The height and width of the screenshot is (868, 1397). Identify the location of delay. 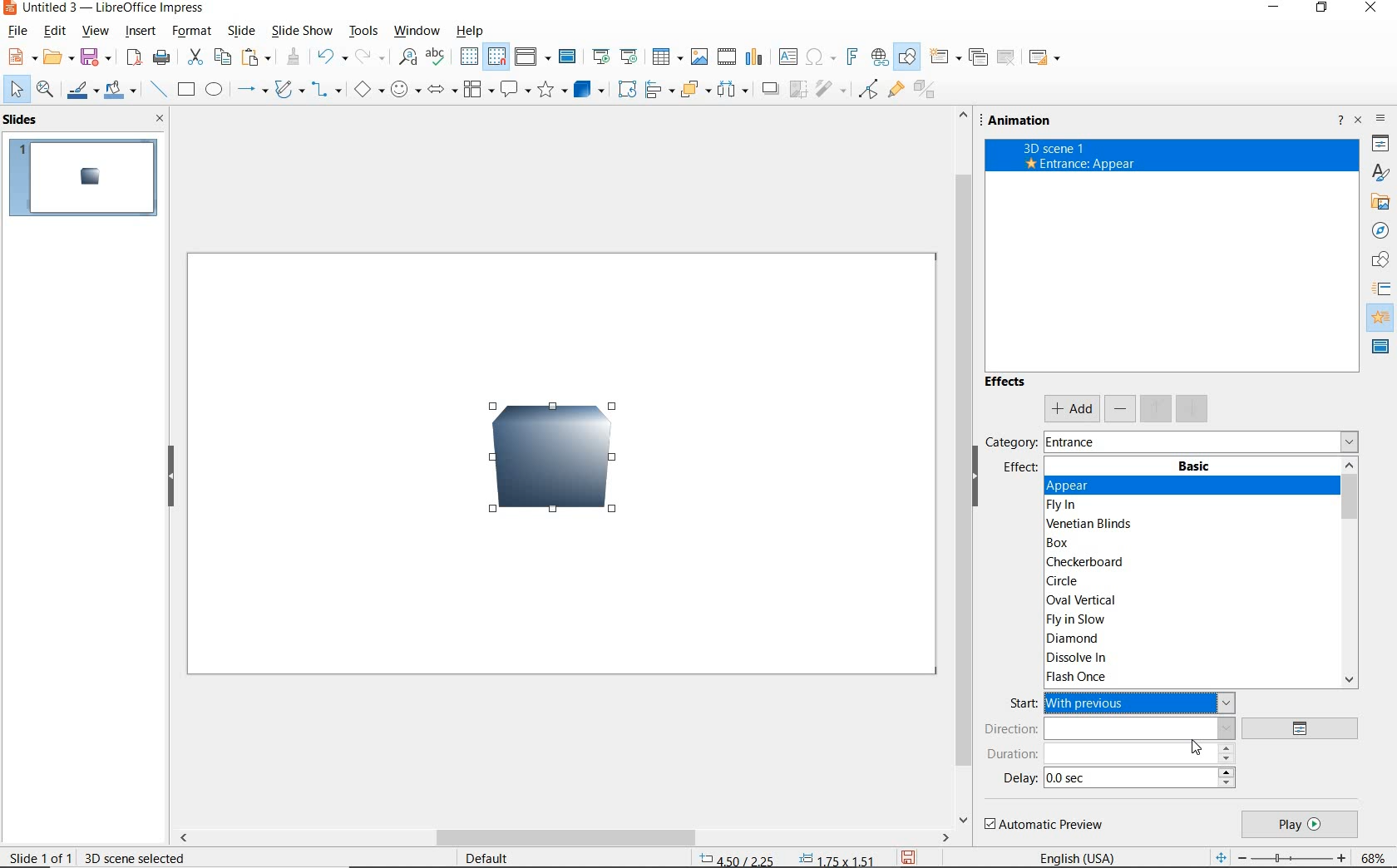
(1019, 778).